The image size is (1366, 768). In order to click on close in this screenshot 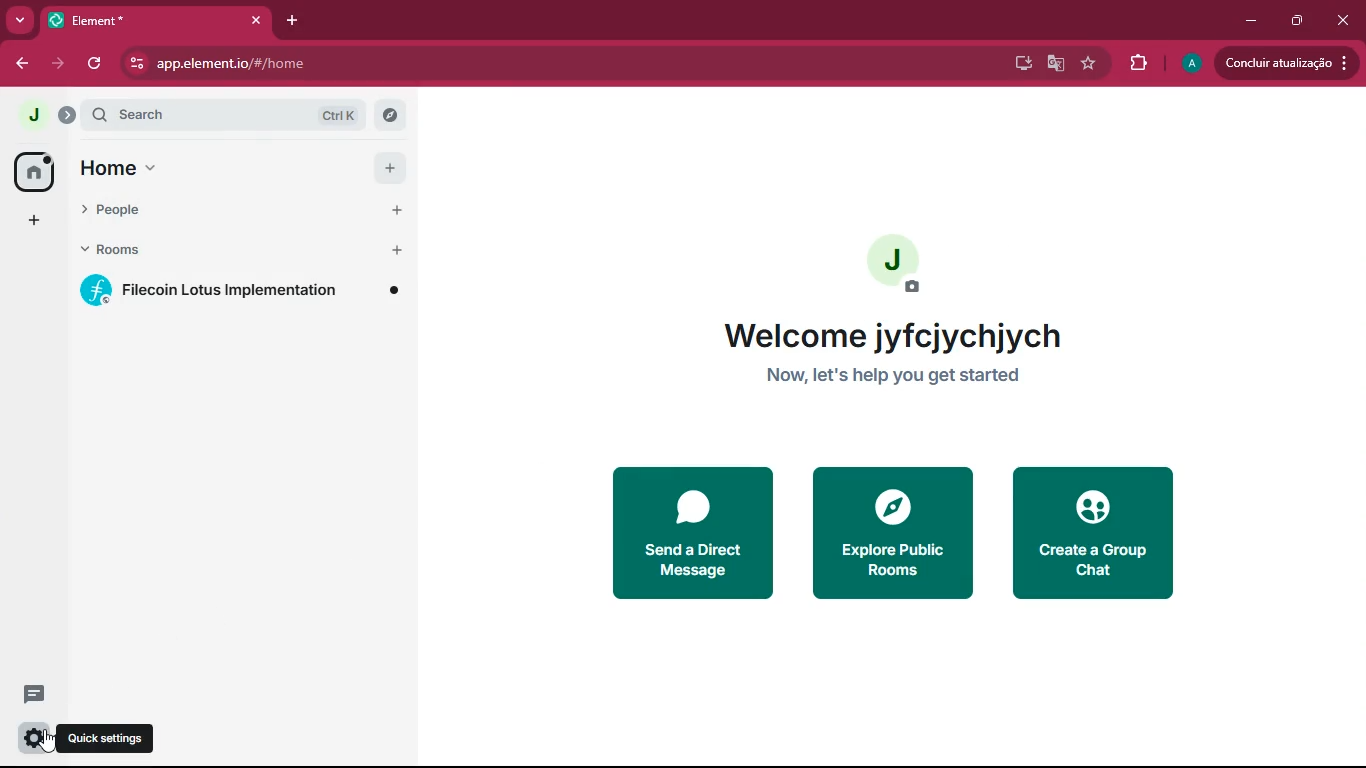, I will do `click(1345, 20)`.